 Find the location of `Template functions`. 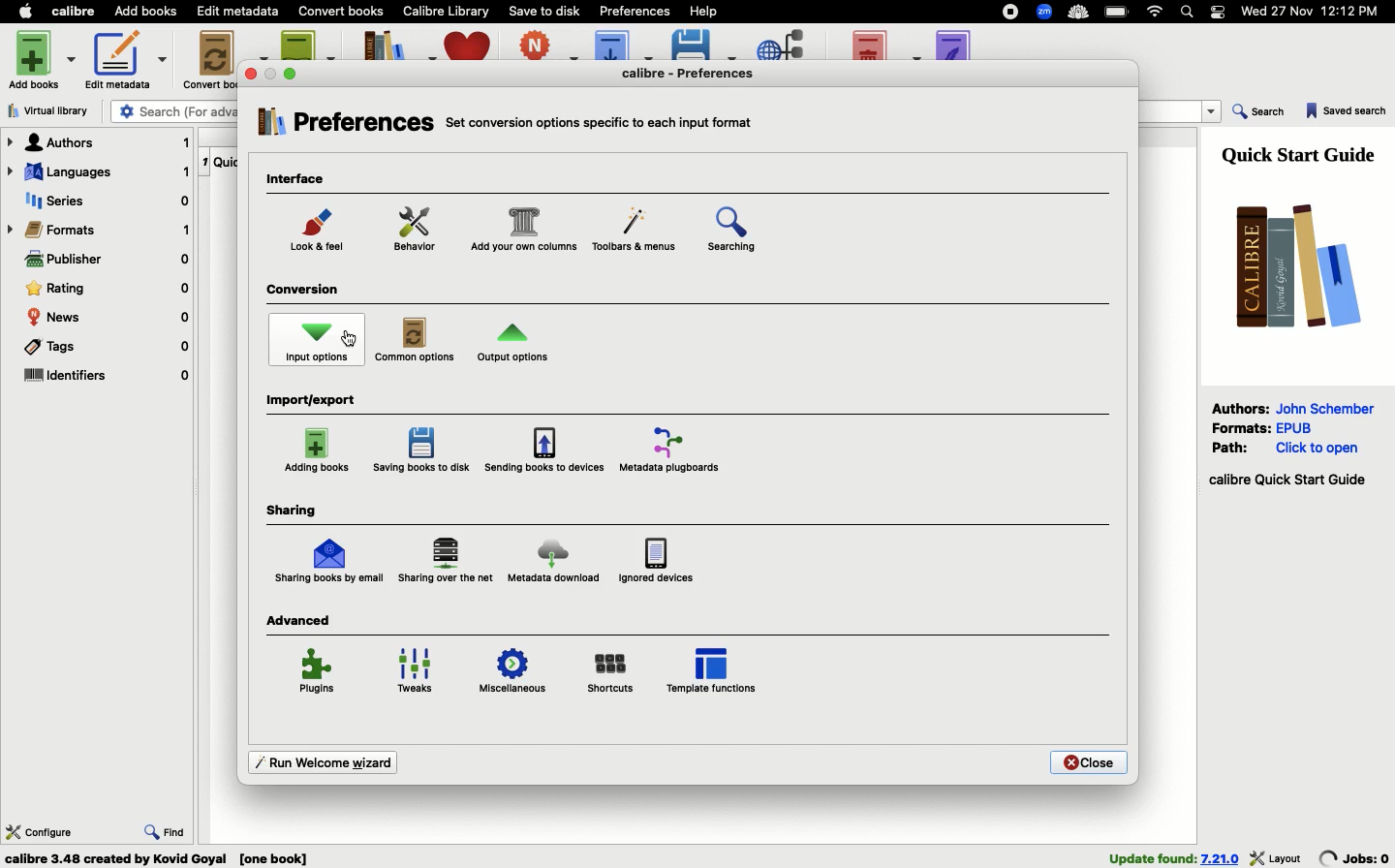

Template functions is located at coordinates (713, 669).